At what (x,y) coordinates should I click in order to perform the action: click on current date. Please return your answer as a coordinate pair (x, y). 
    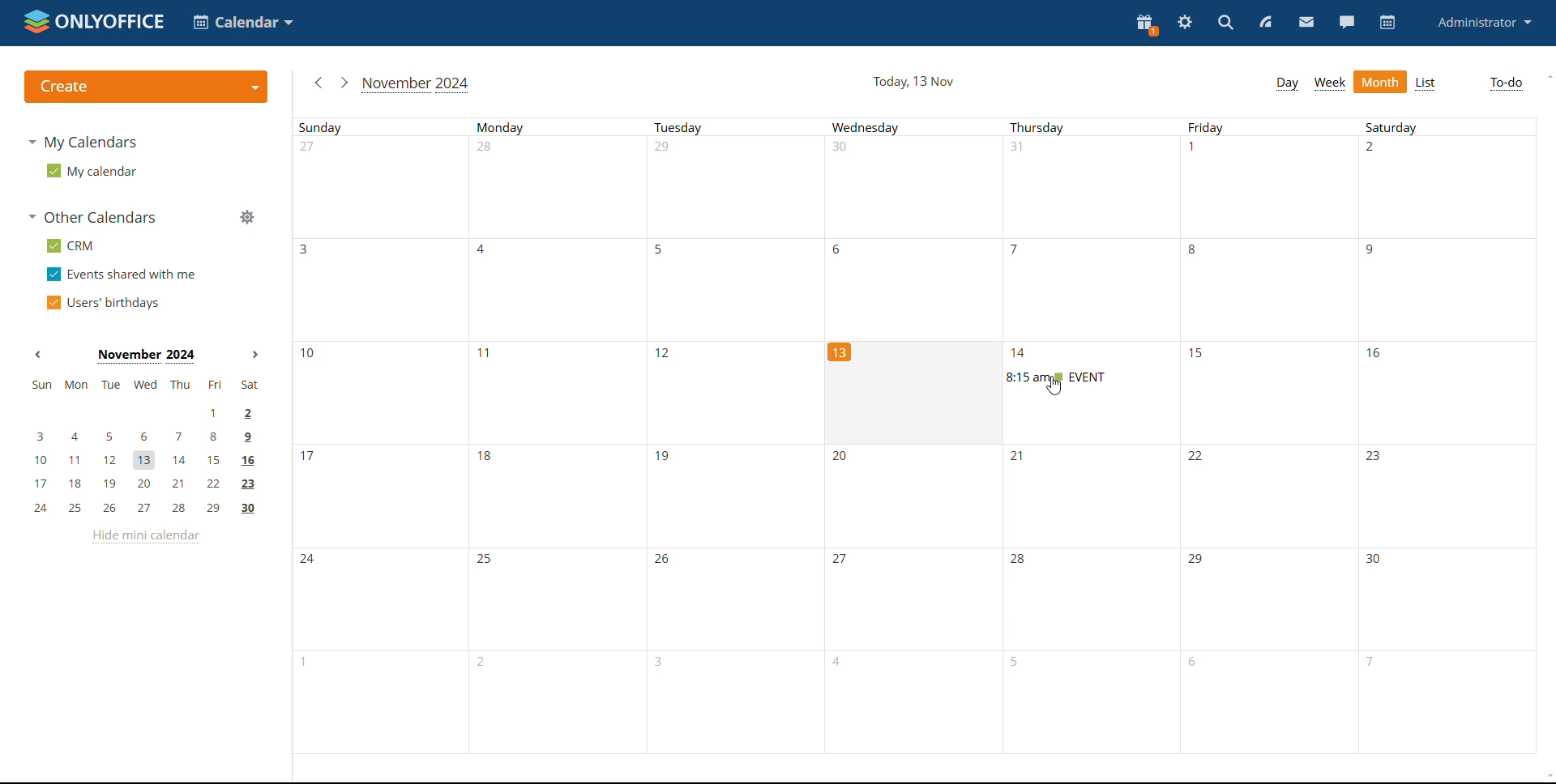
    Looking at the image, I should click on (913, 83).